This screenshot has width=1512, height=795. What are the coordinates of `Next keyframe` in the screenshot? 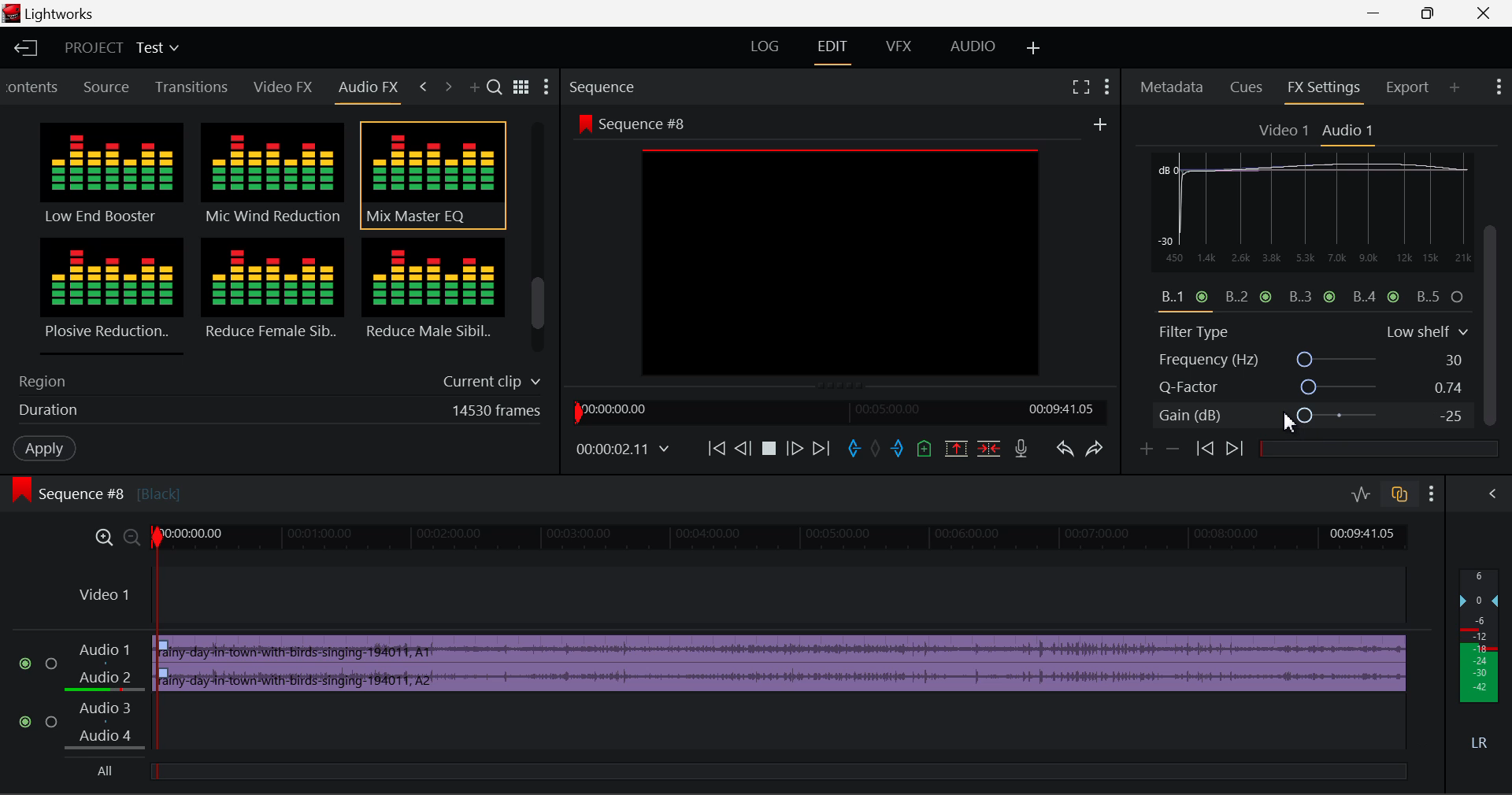 It's located at (1238, 449).